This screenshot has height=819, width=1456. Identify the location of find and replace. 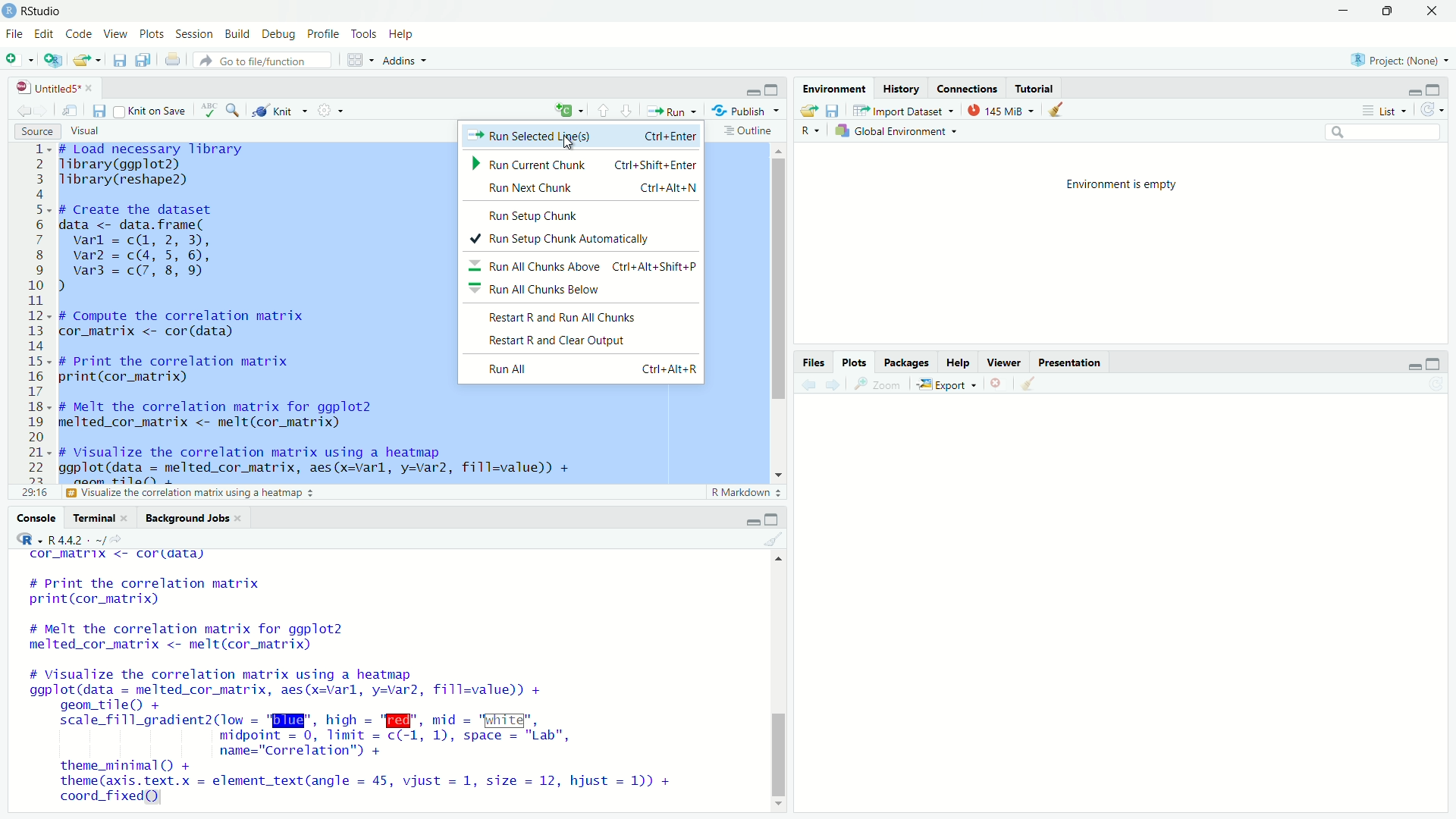
(233, 110).